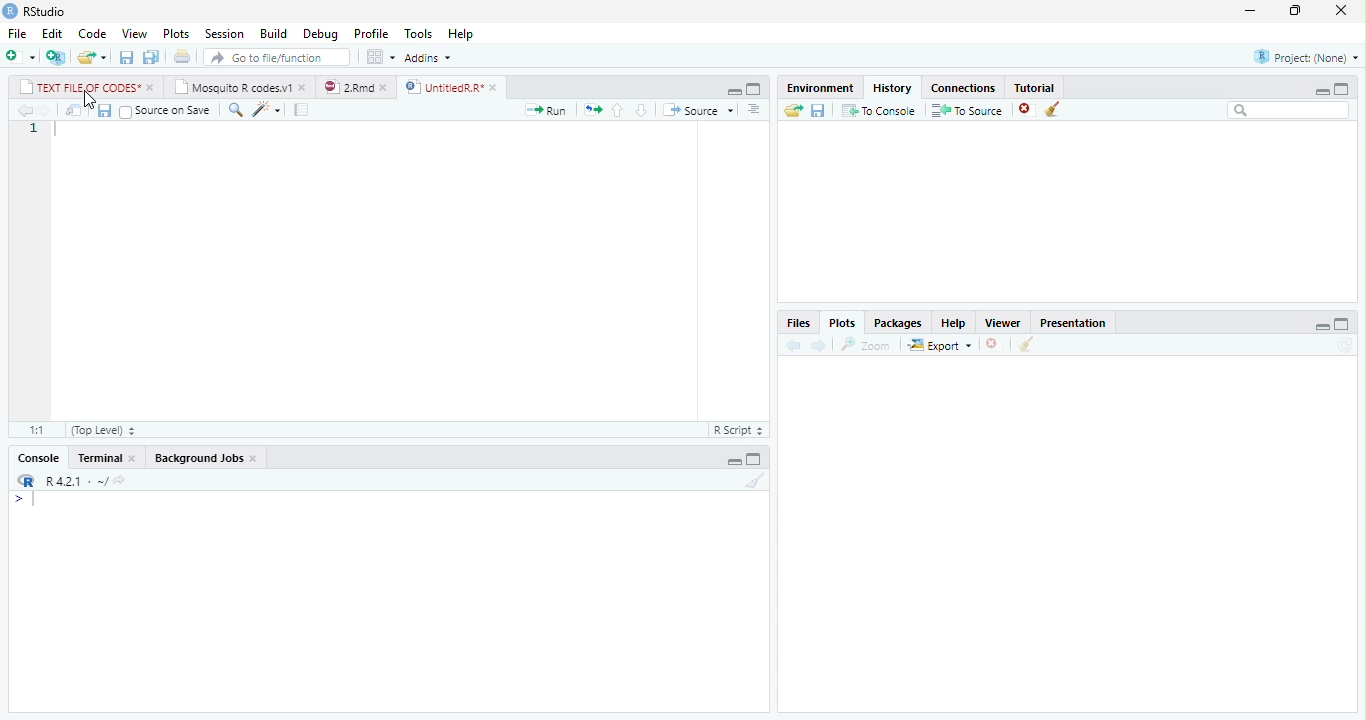  Describe the element at coordinates (866, 345) in the screenshot. I see `Zoom` at that location.